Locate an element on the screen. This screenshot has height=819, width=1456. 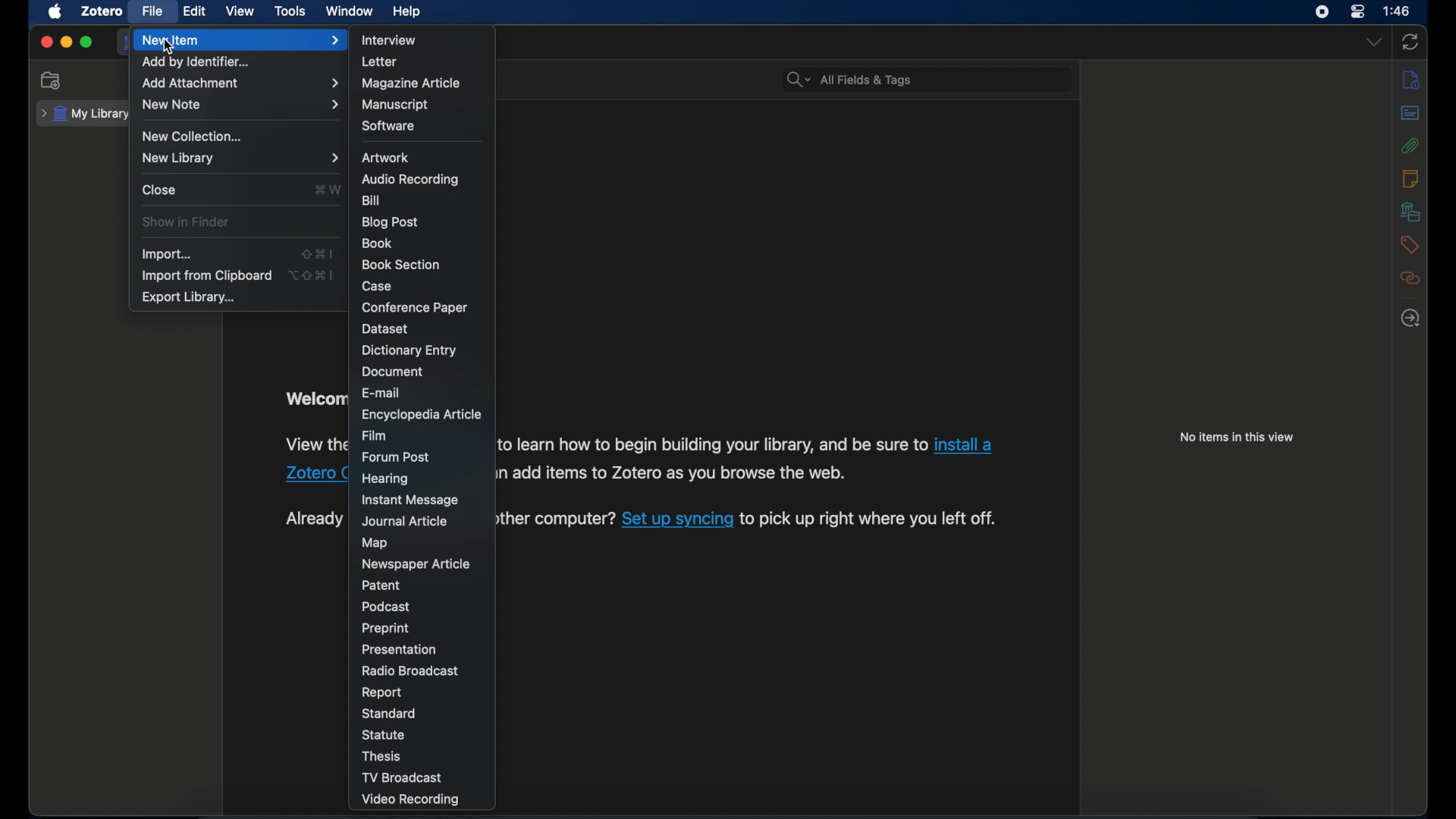
help is located at coordinates (406, 11).